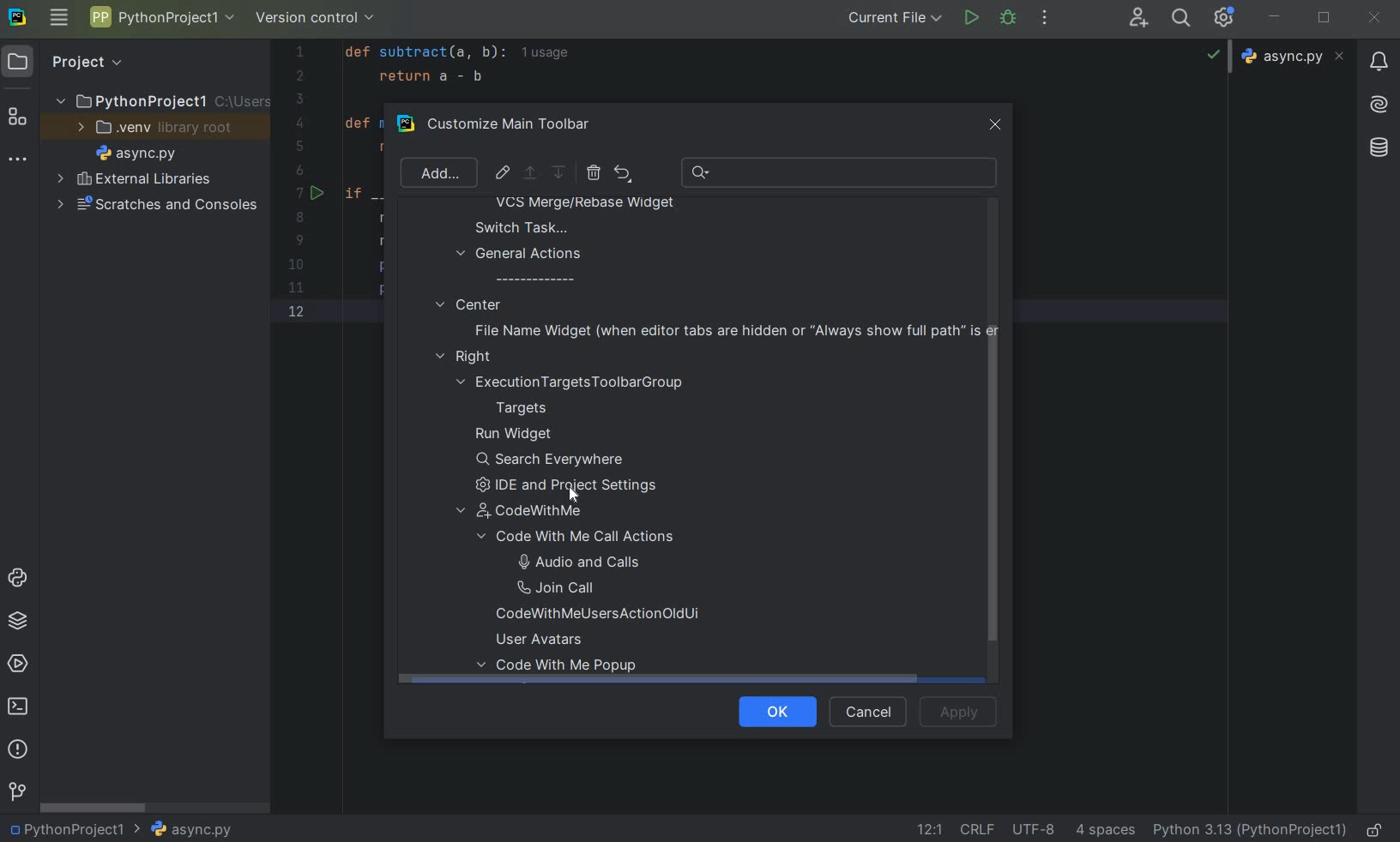  Describe the element at coordinates (598, 616) in the screenshot. I see `codewithmeusersactionolduni` at that location.